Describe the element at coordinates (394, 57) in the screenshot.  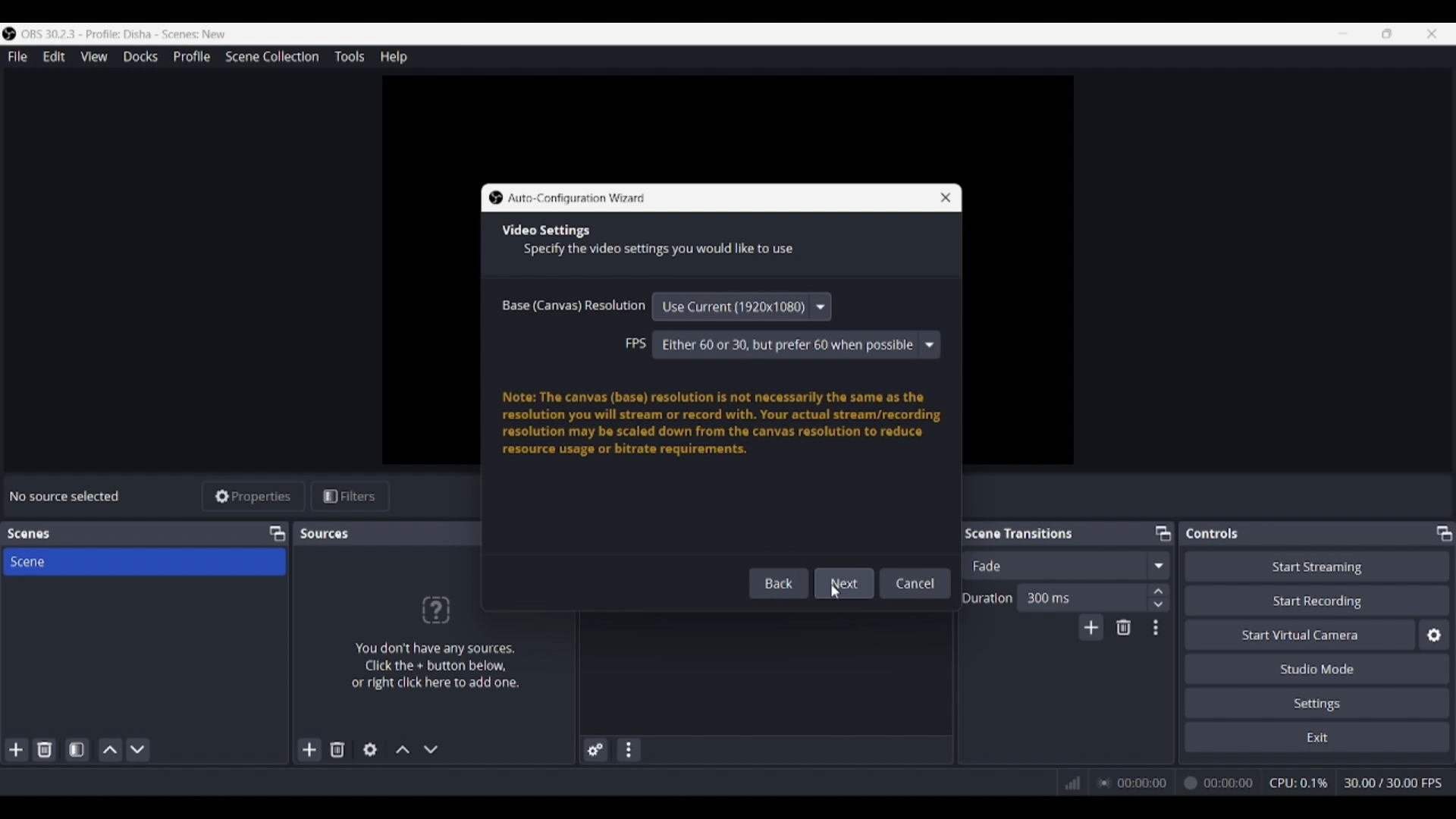
I see `Help menu` at that location.